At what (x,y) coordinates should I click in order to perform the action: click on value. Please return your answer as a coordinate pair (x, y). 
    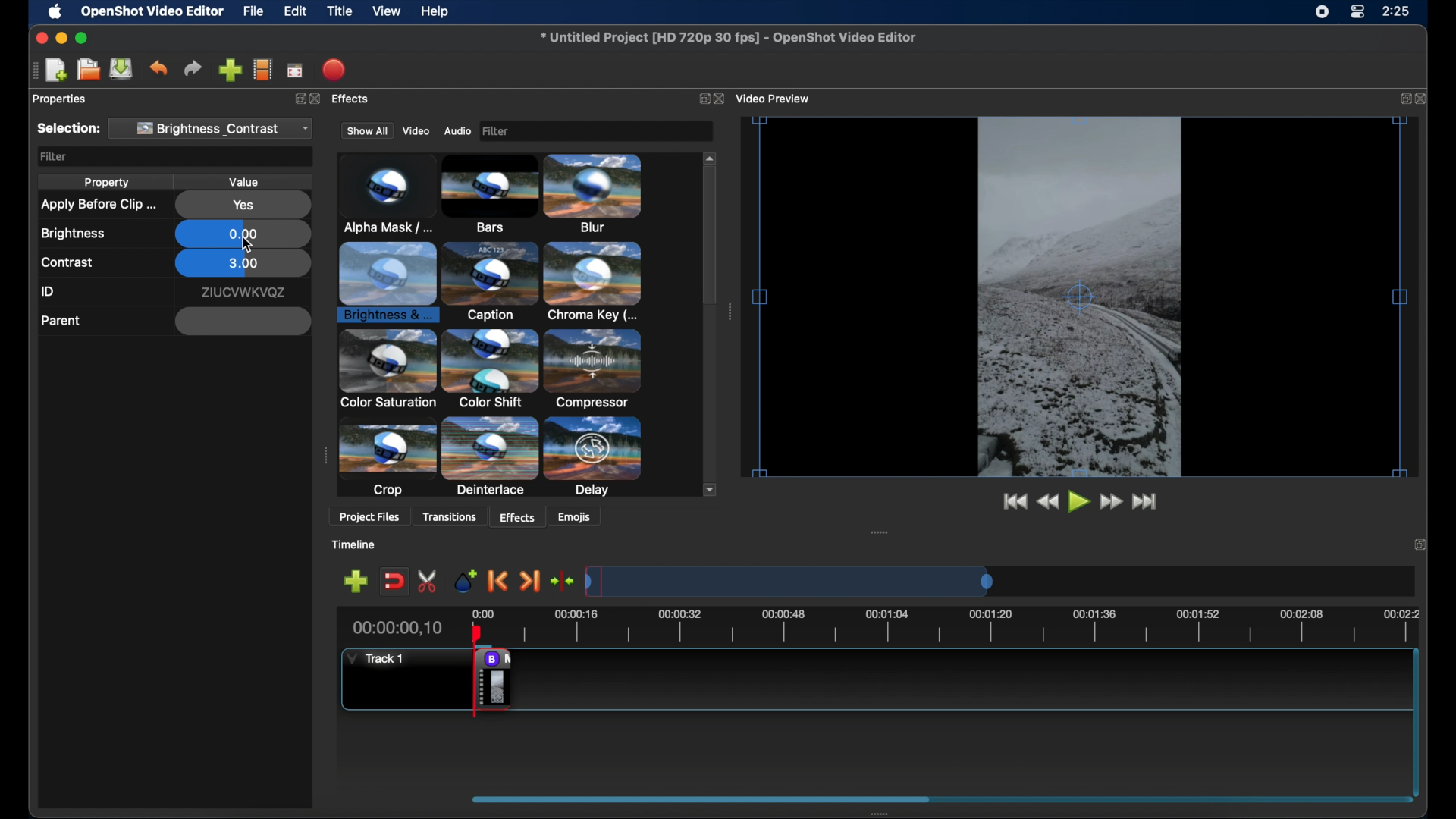
    Looking at the image, I should click on (246, 181).